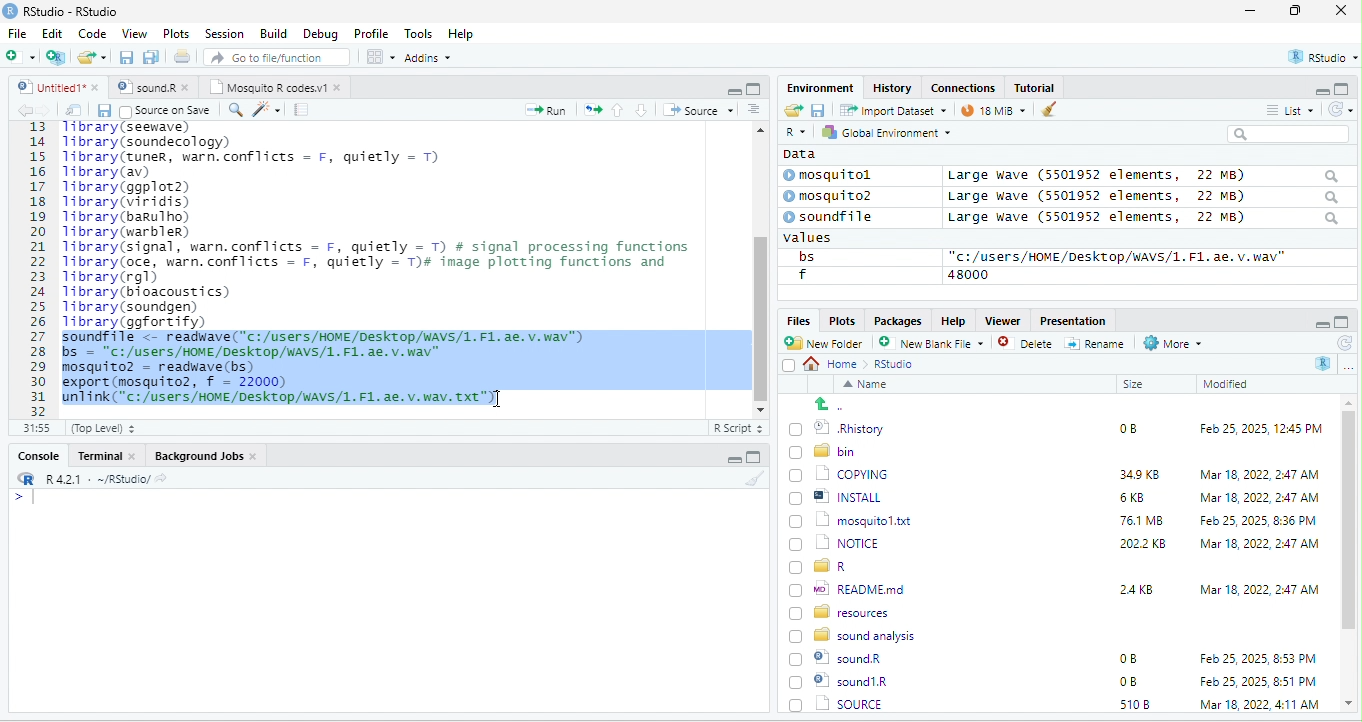 Image resolution: width=1362 pixels, height=722 pixels. I want to click on ” Go to file/function, so click(278, 59).